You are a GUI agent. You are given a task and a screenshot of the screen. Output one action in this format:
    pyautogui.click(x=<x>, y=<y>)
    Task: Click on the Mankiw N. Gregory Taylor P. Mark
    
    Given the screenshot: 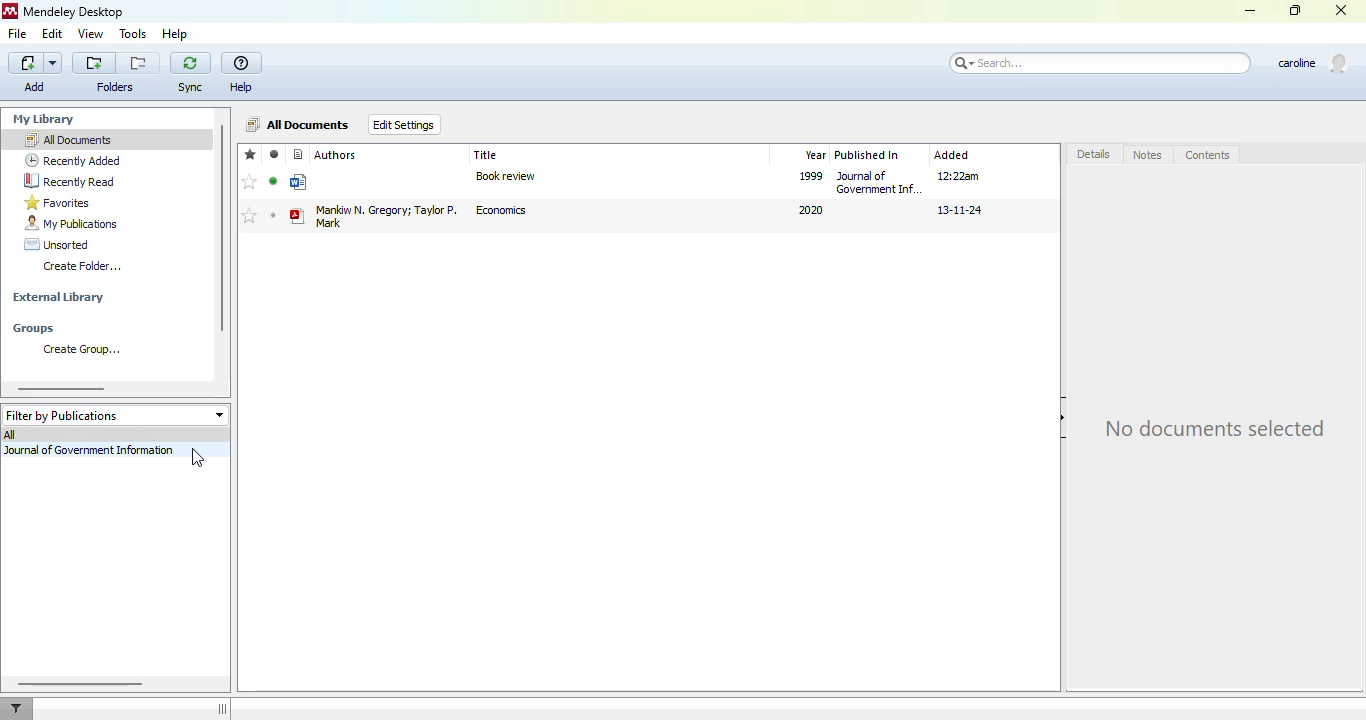 What is the action you would take?
    pyautogui.click(x=386, y=215)
    